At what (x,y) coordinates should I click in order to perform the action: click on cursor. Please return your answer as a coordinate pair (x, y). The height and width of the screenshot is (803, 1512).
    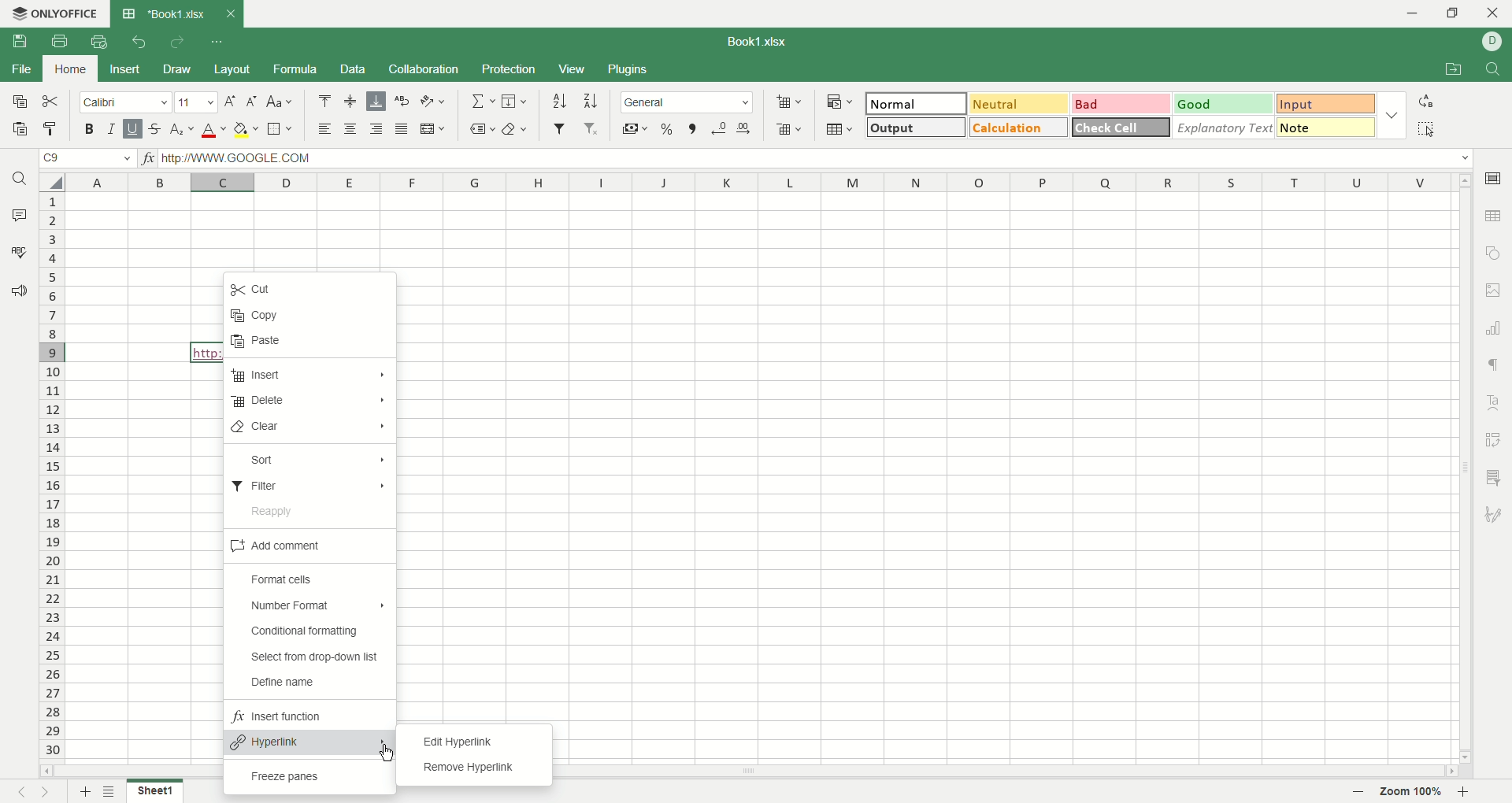
    Looking at the image, I should click on (389, 756).